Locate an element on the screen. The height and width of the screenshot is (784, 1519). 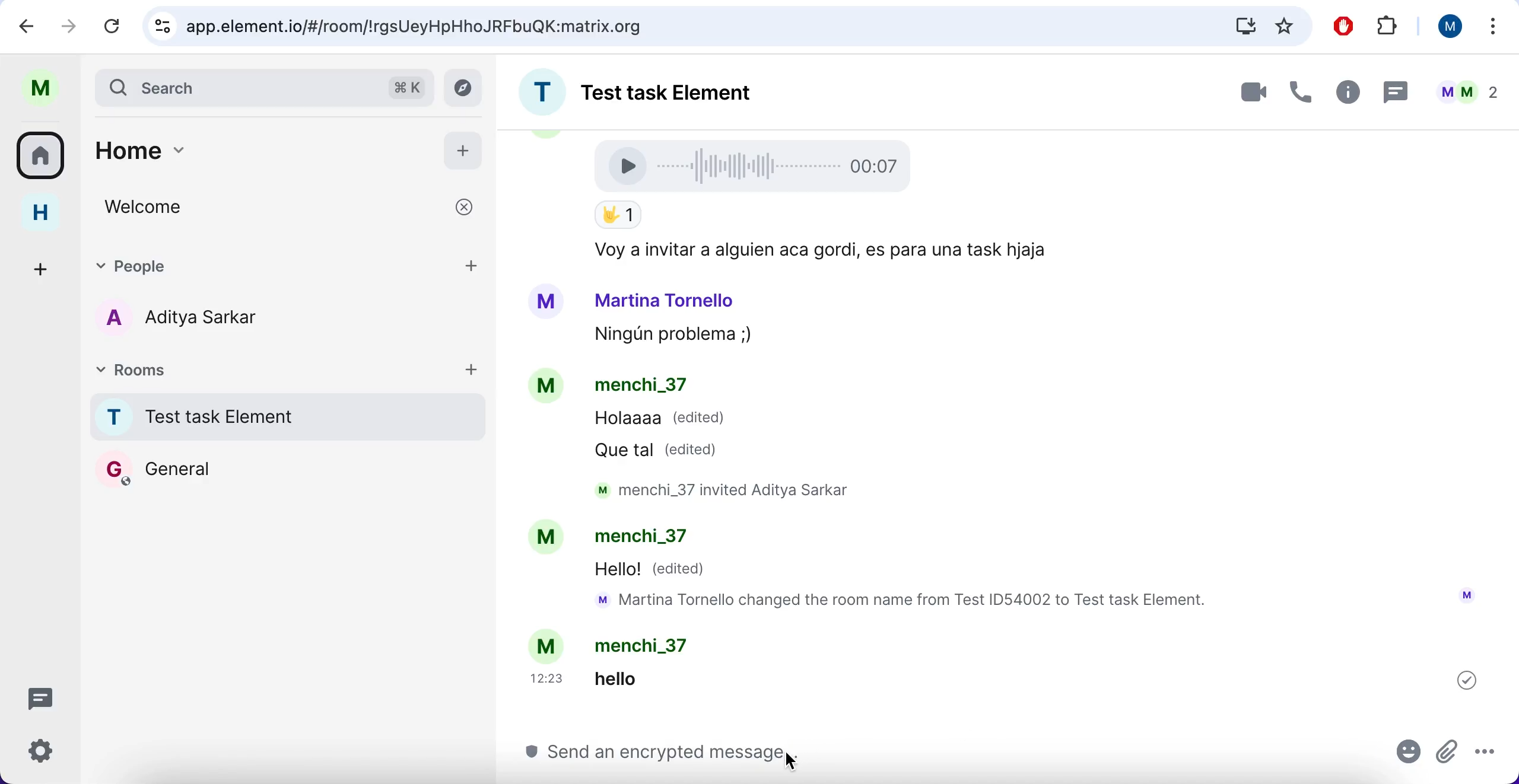
Hello! (edited) is located at coordinates (652, 571).